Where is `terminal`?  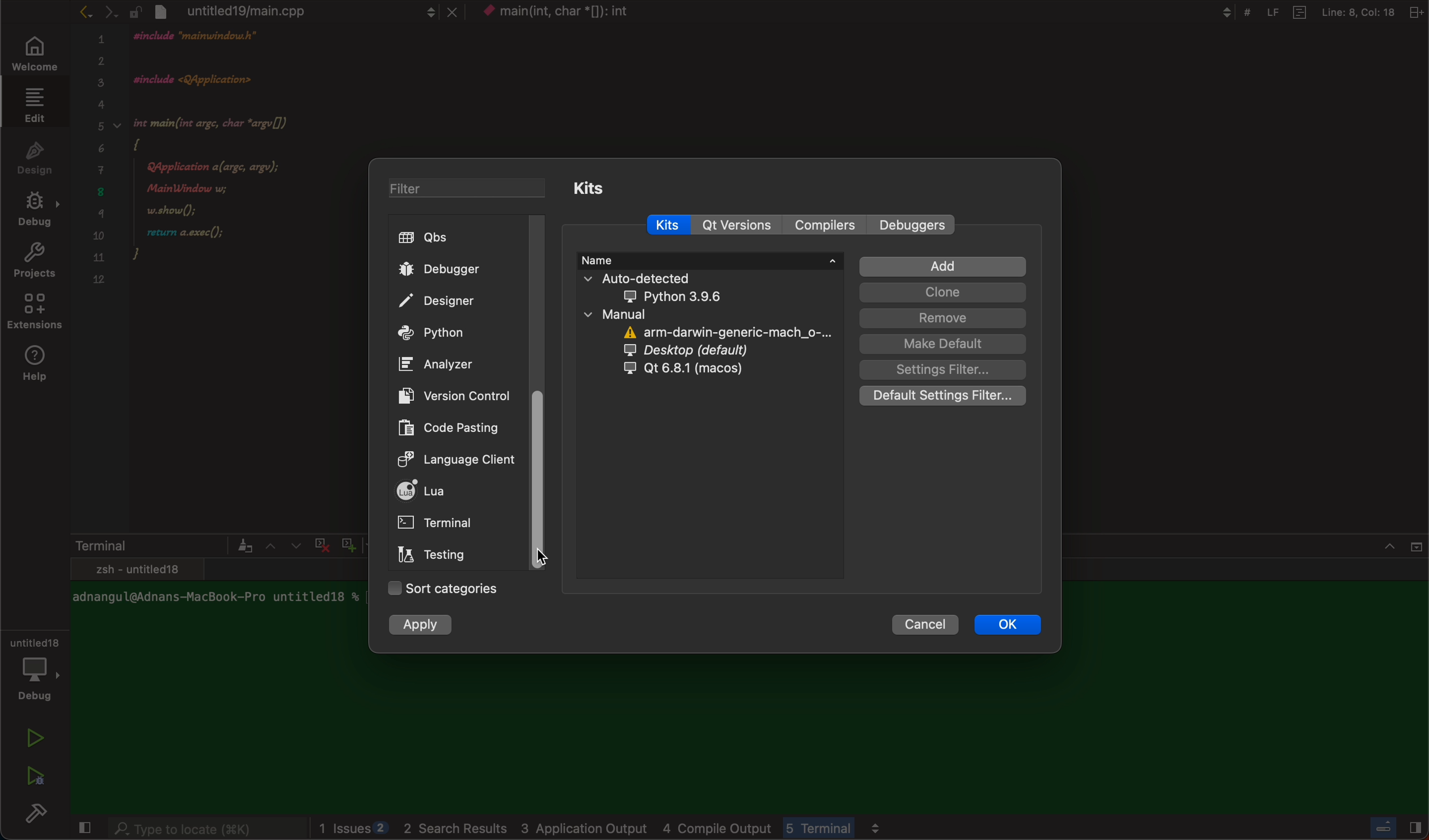 terminal is located at coordinates (161, 545).